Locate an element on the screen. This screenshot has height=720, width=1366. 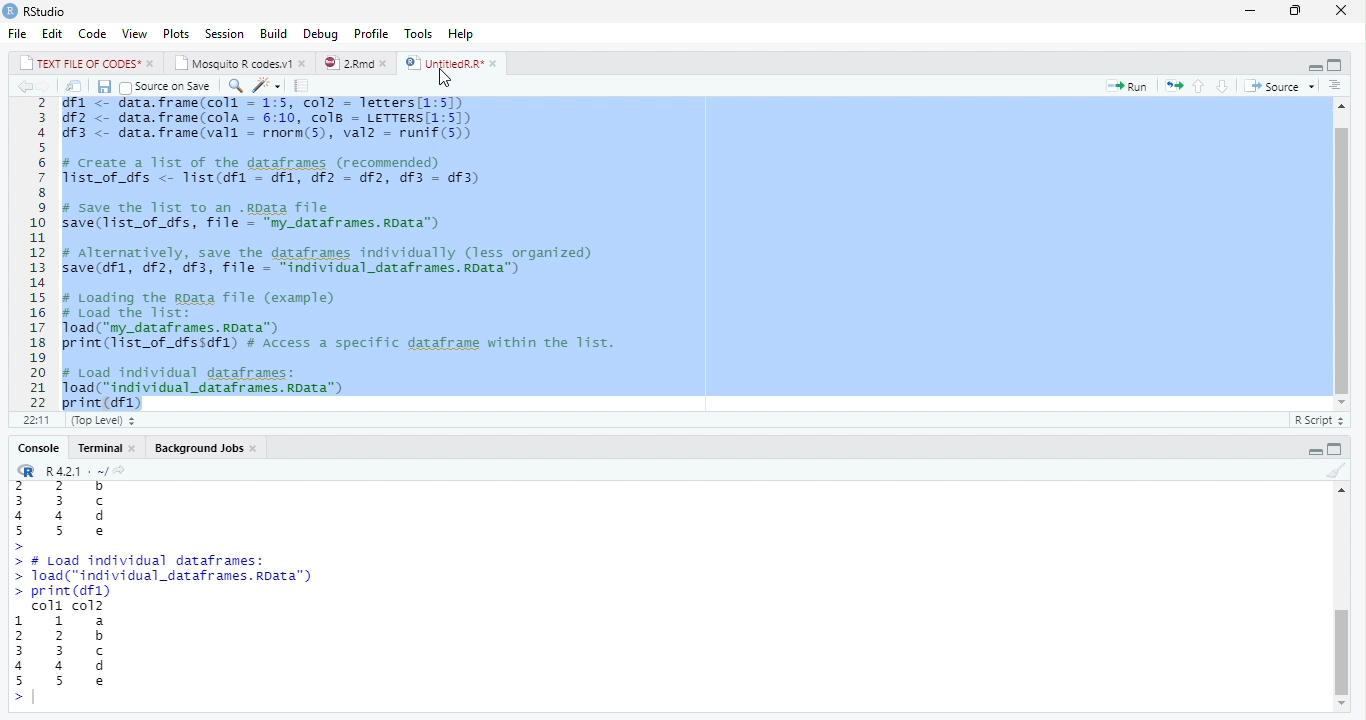
vertical scroll bar is located at coordinates (1341, 659).